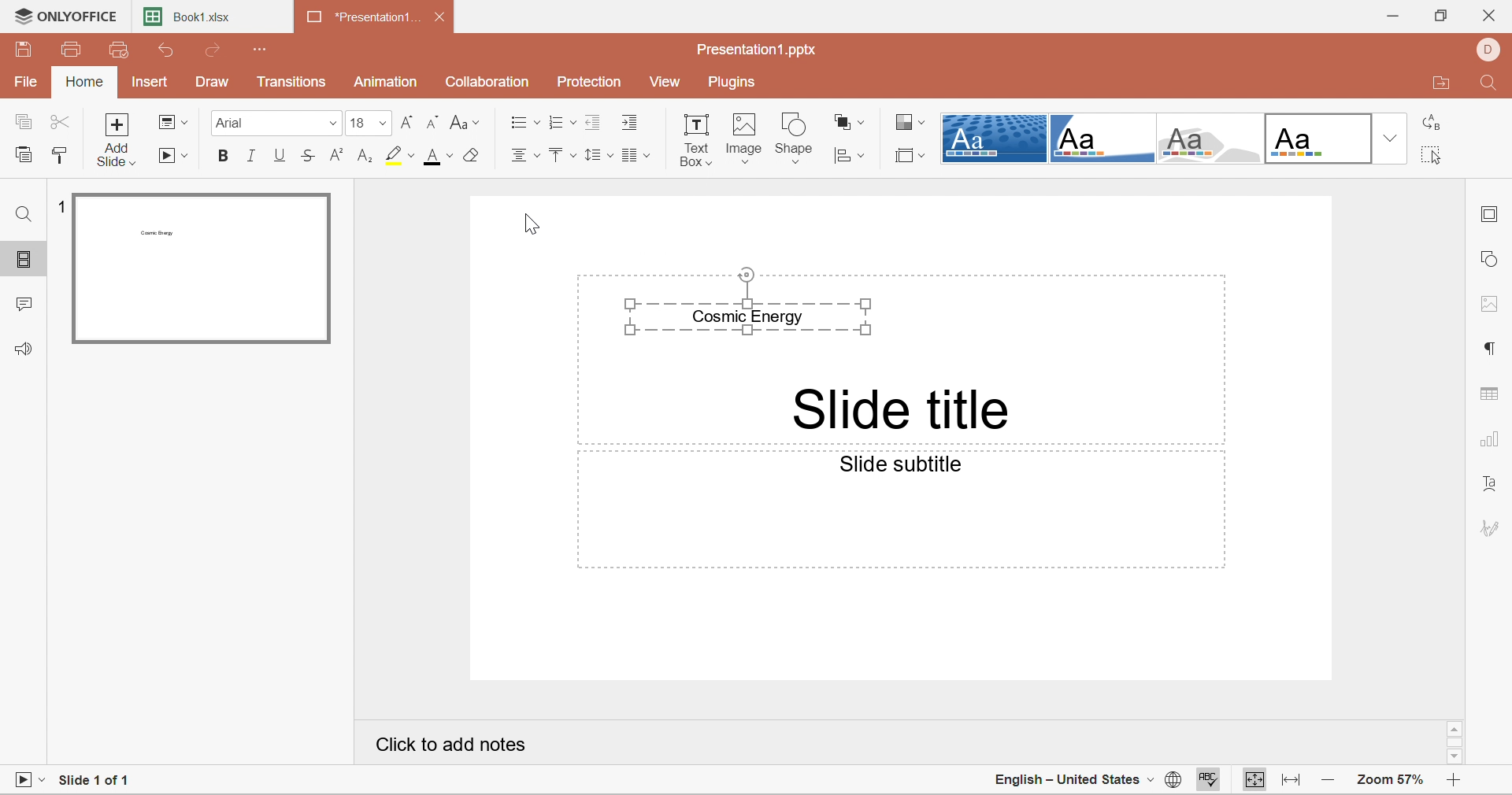 This screenshot has height=795, width=1512. I want to click on Arrange shapes, so click(849, 121).